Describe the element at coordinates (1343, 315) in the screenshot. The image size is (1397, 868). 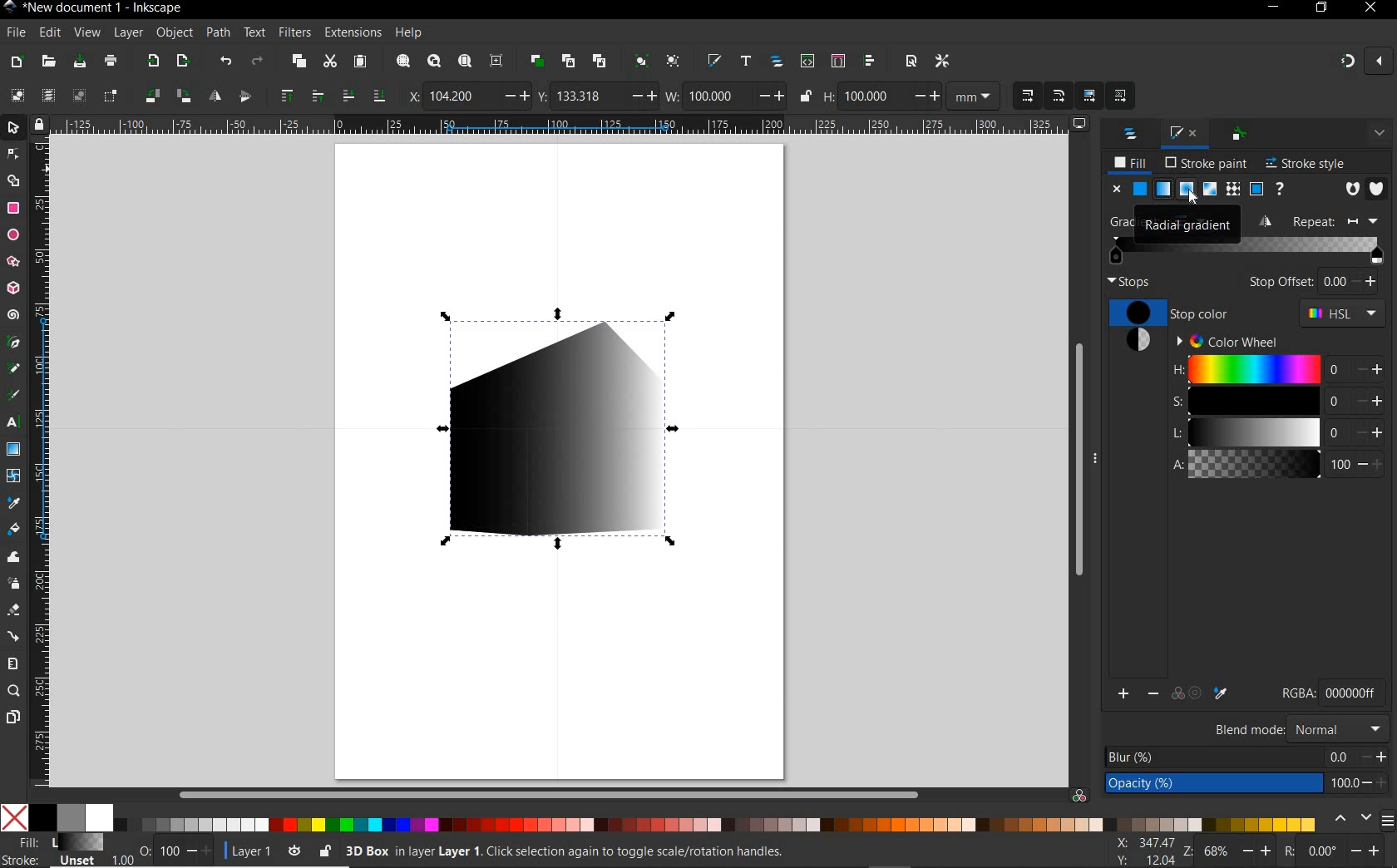
I see `HSL` at that location.